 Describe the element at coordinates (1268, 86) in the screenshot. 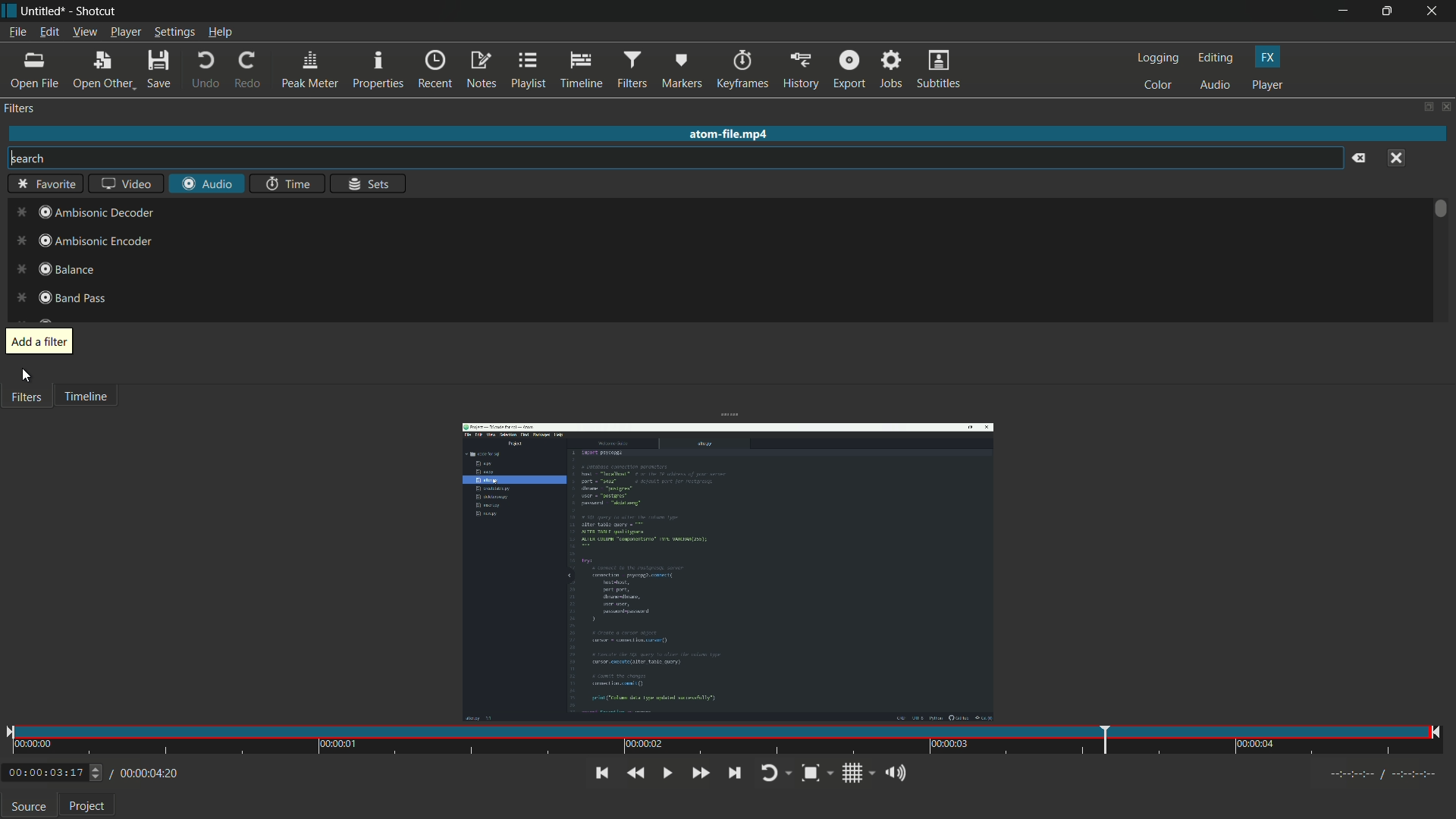

I see `player` at that location.